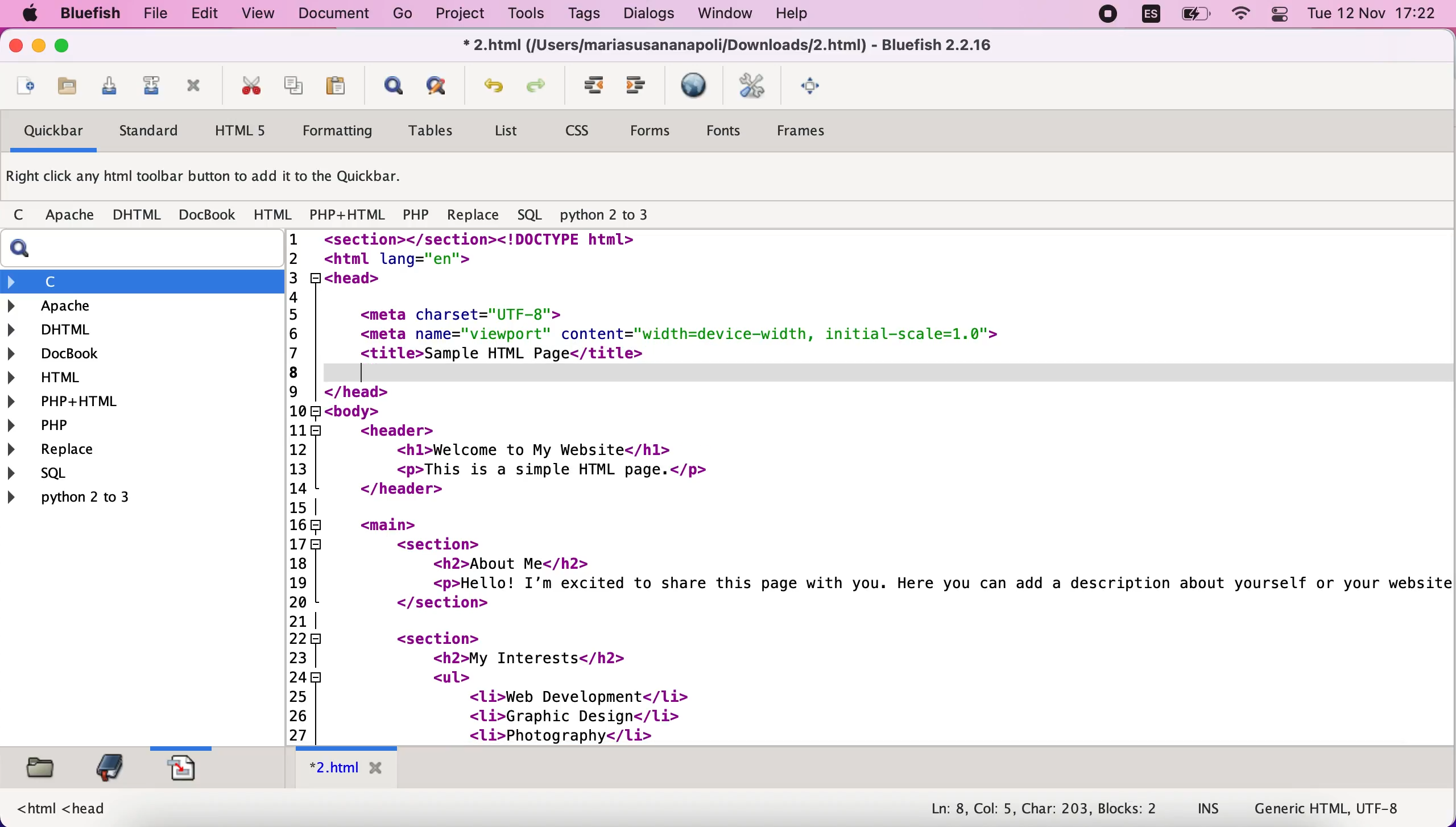  I want to click on edit, so click(208, 15).